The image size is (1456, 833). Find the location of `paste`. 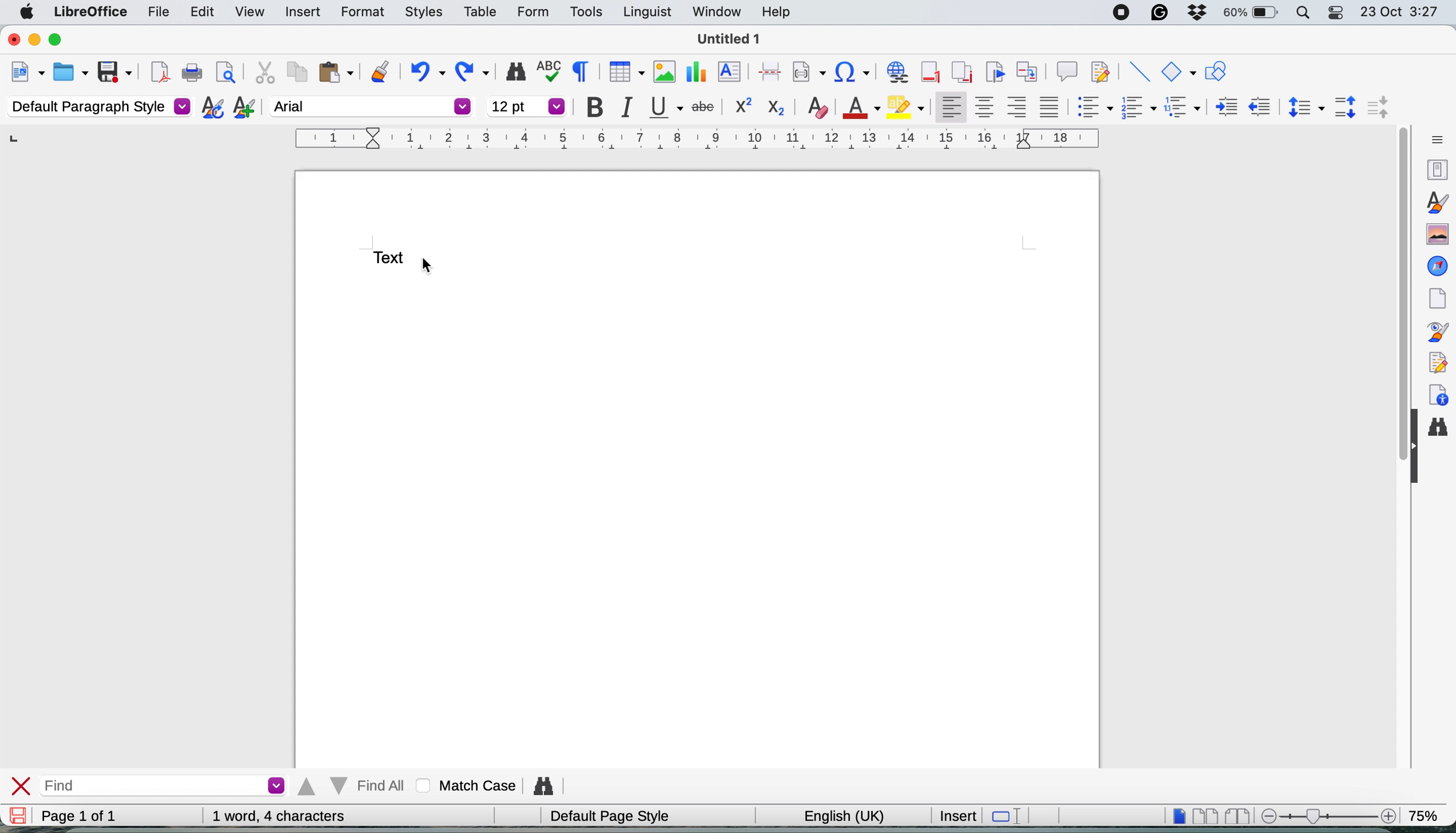

paste is located at coordinates (335, 72).